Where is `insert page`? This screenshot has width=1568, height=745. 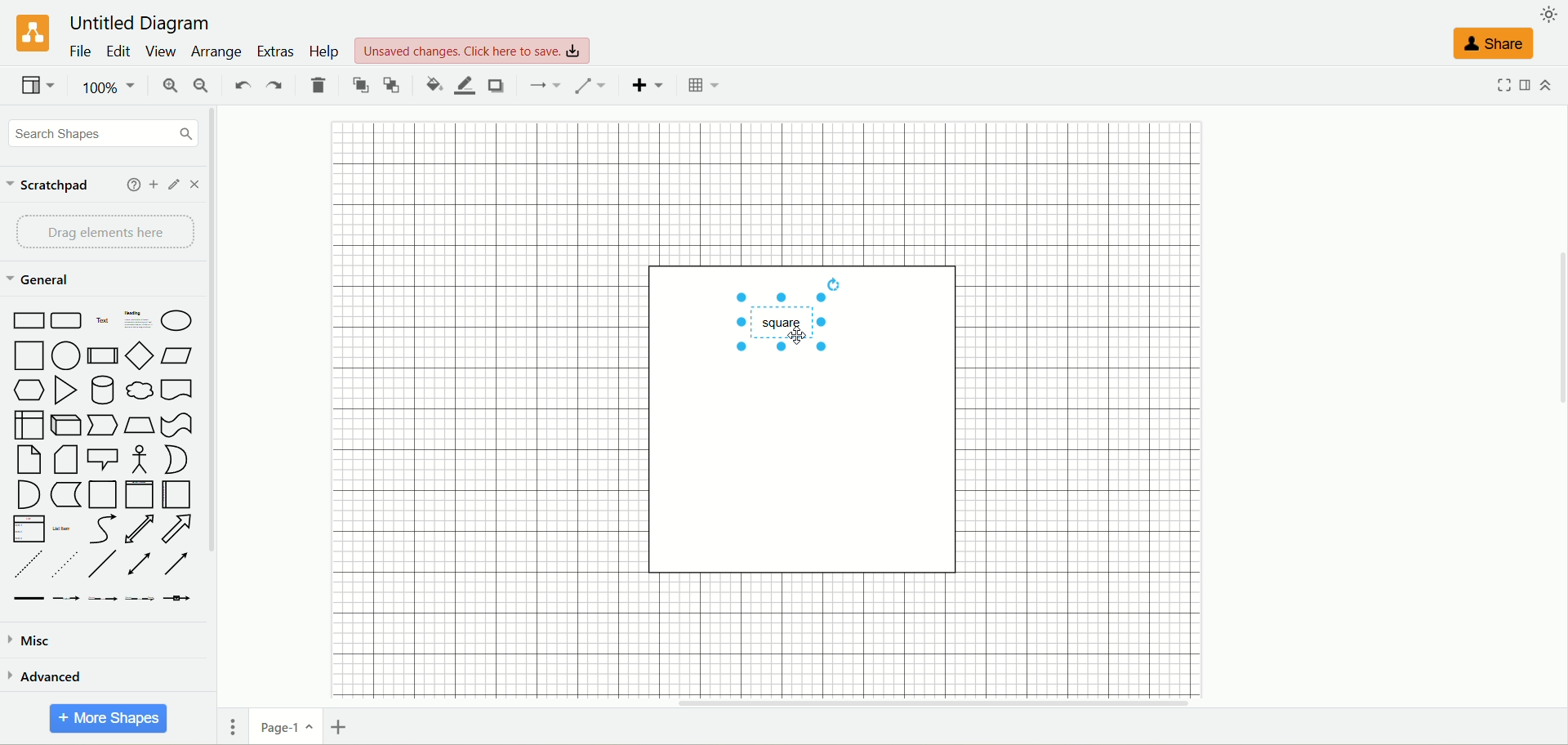 insert page is located at coordinates (341, 725).